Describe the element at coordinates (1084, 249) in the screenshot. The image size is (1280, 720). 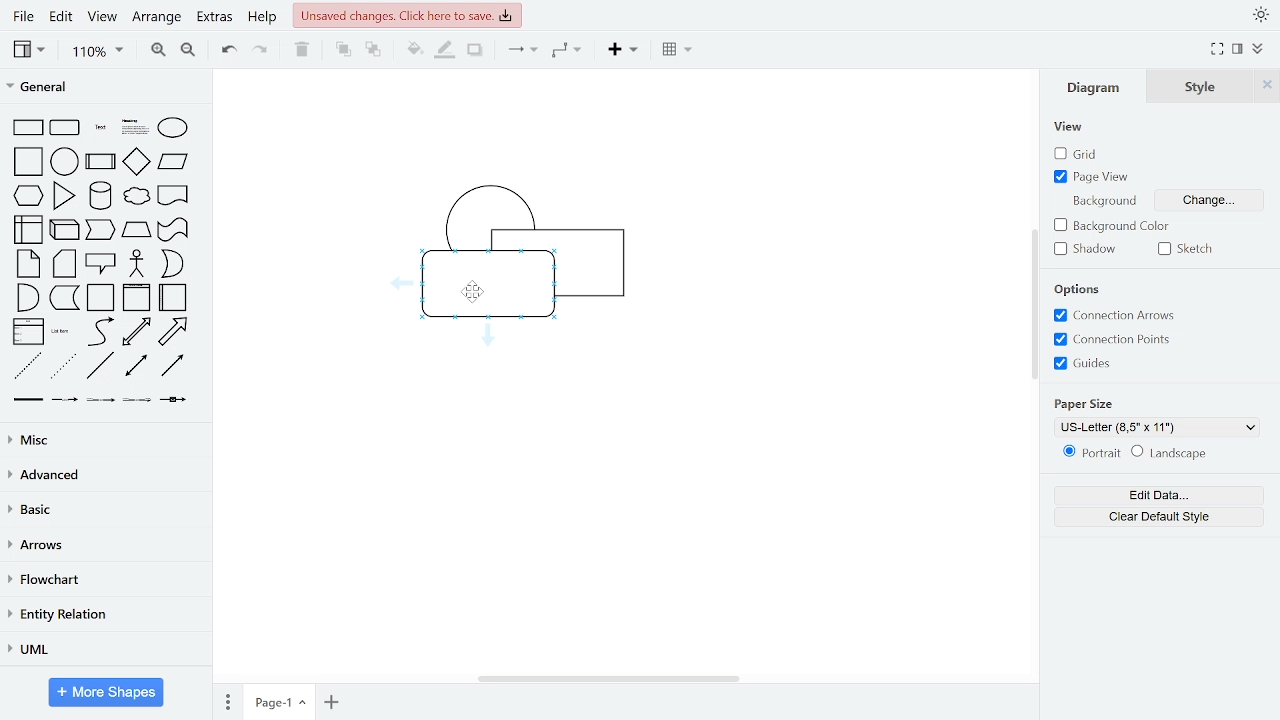
I see `shadow` at that location.